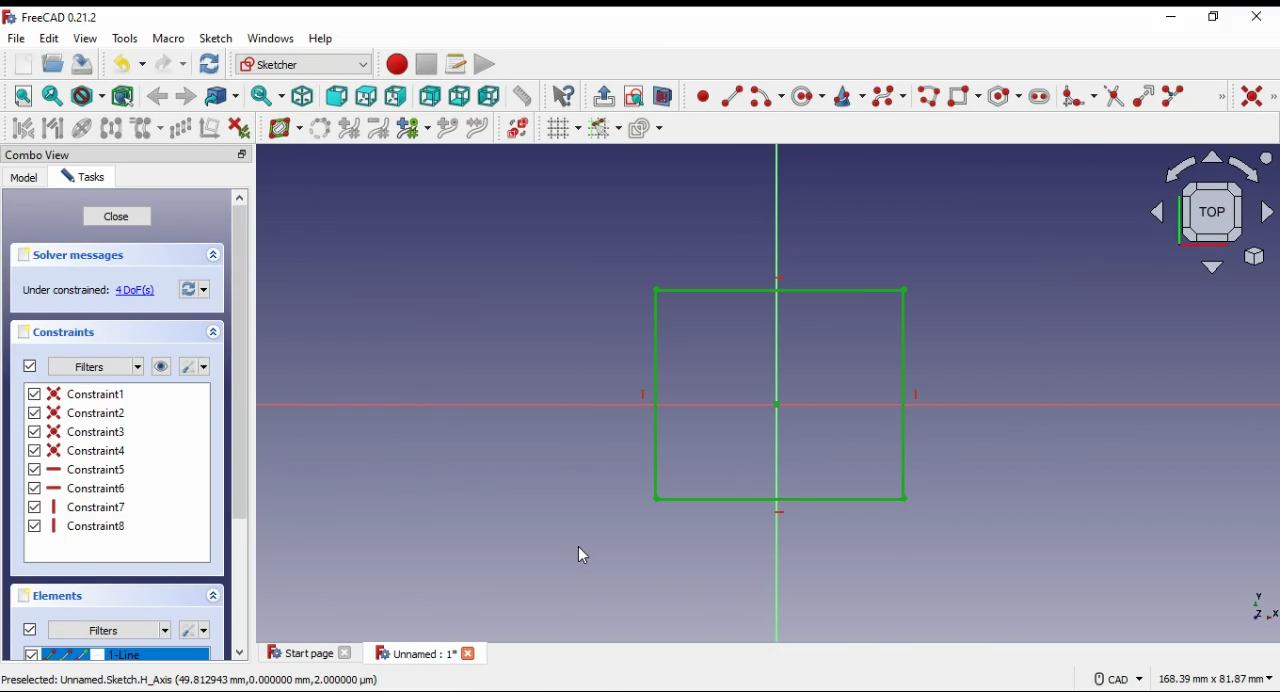  What do you see at coordinates (213, 595) in the screenshot?
I see `expand/collapse` at bounding box center [213, 595].